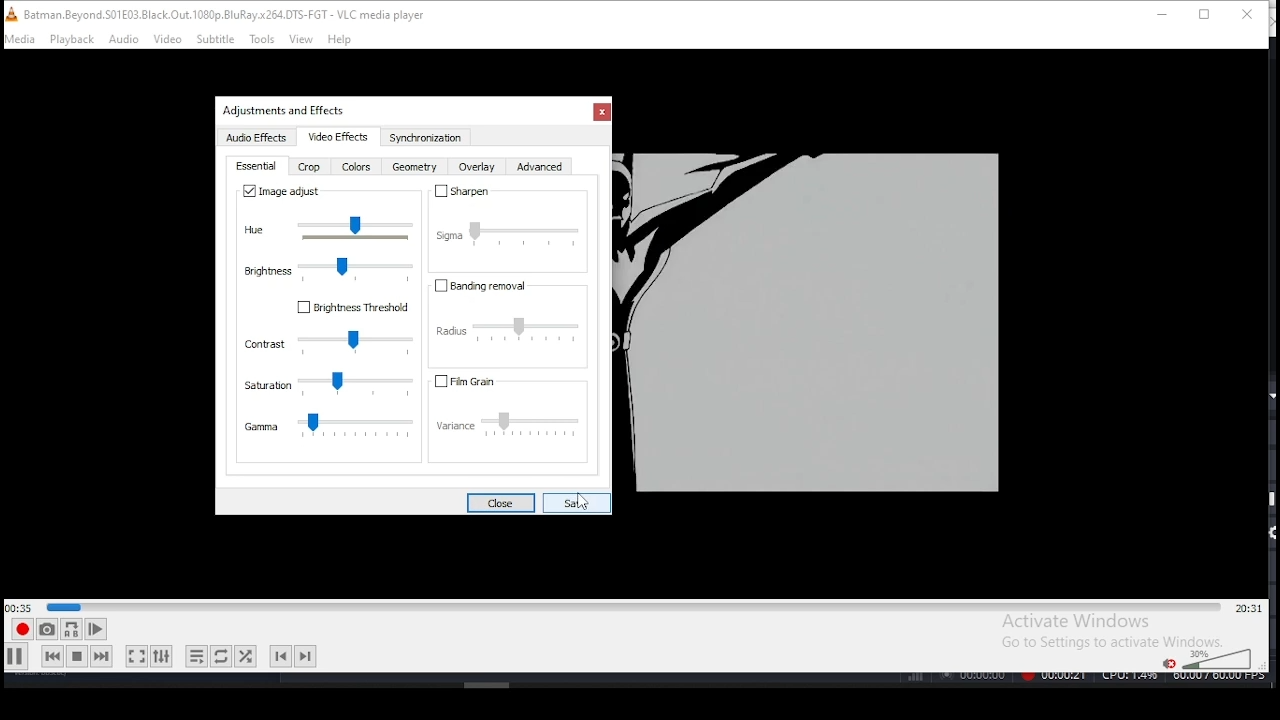 The image size is (1280, 720). Describe the element at coordinates (330, 428) in the screenshot. I see `gamma` at that location.